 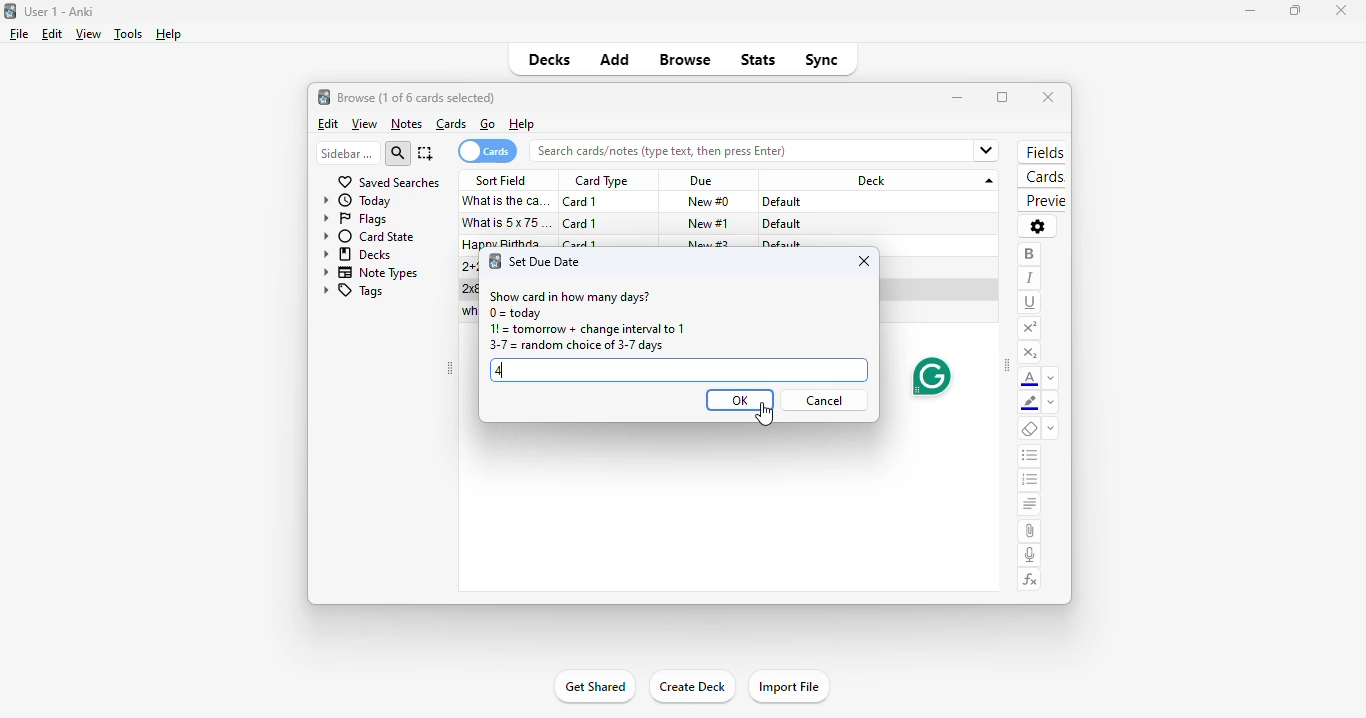 What do you see at coordinates (19, 34) in the screenshot?
I see `file` at bounding box center [19, 34].